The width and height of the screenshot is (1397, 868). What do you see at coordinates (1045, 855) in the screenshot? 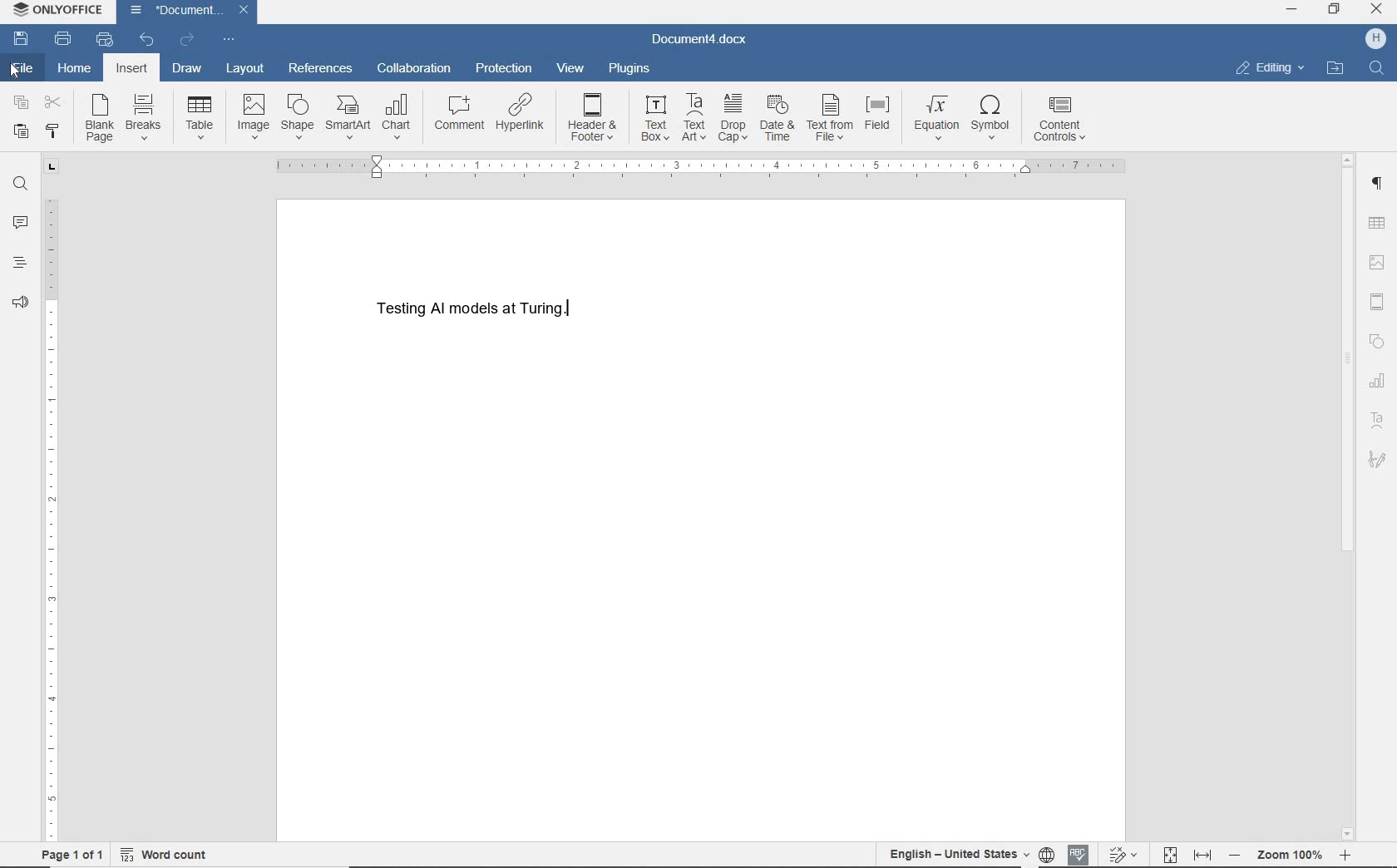
I see `set document language` at bounding box center [1045, 855].